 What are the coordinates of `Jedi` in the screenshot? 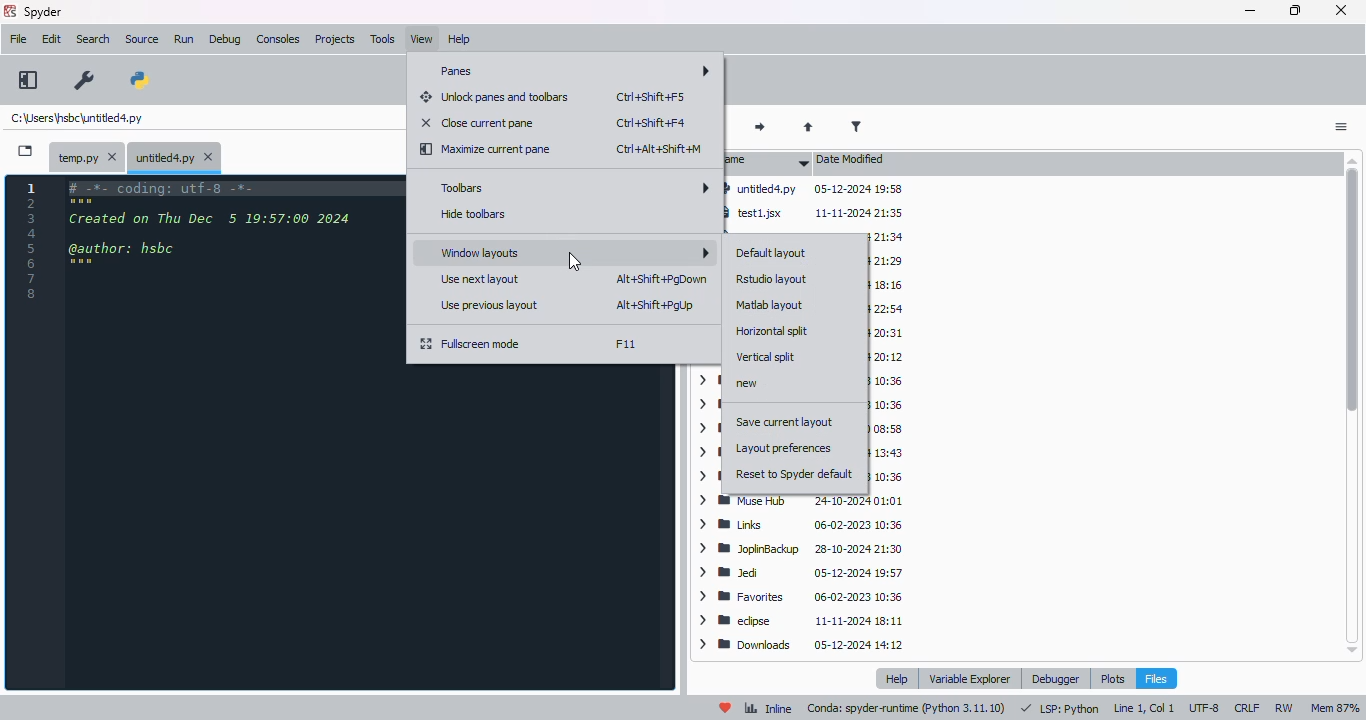 It's located at (802, 574).